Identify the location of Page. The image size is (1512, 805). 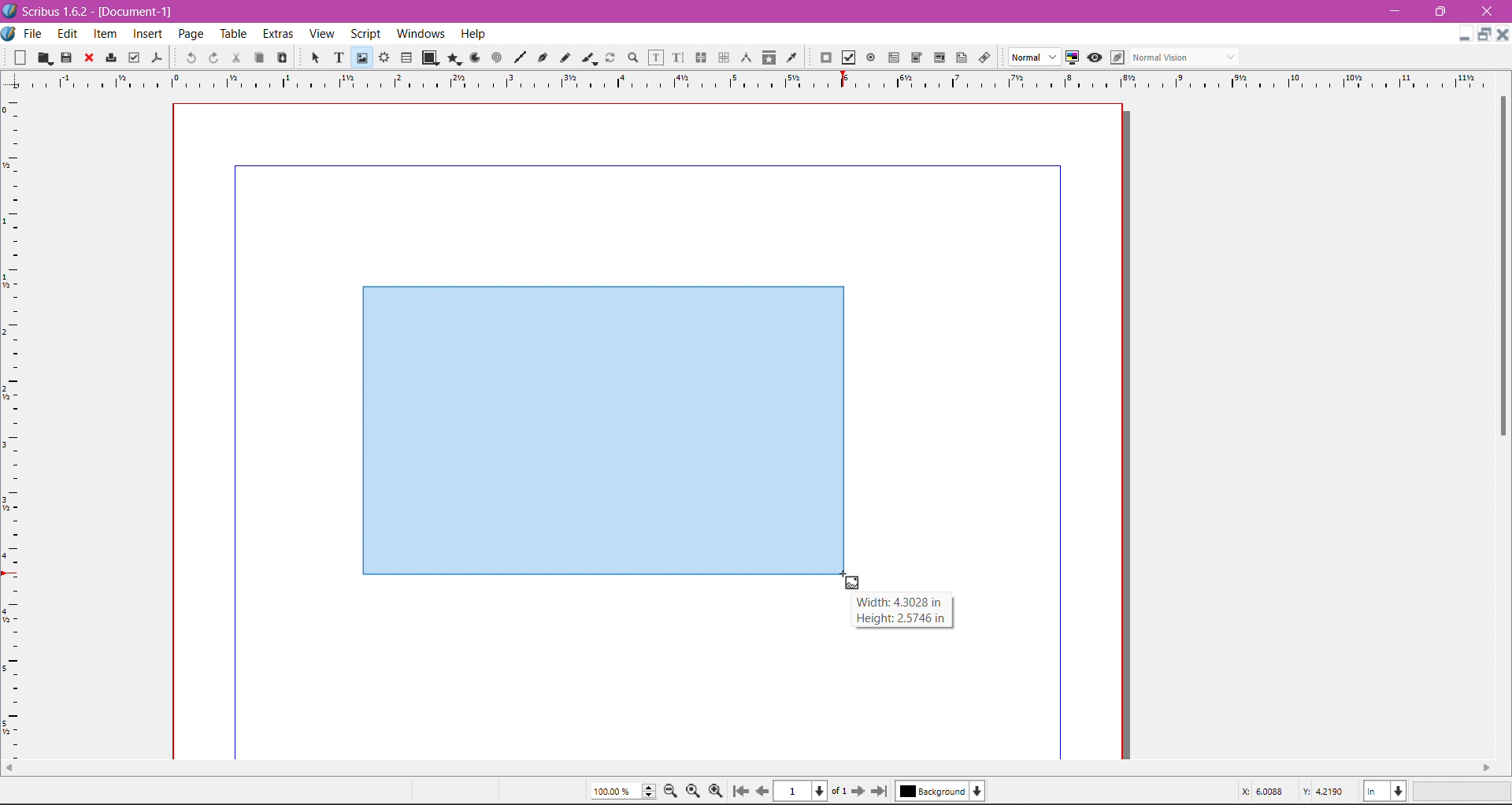
(193, 35).